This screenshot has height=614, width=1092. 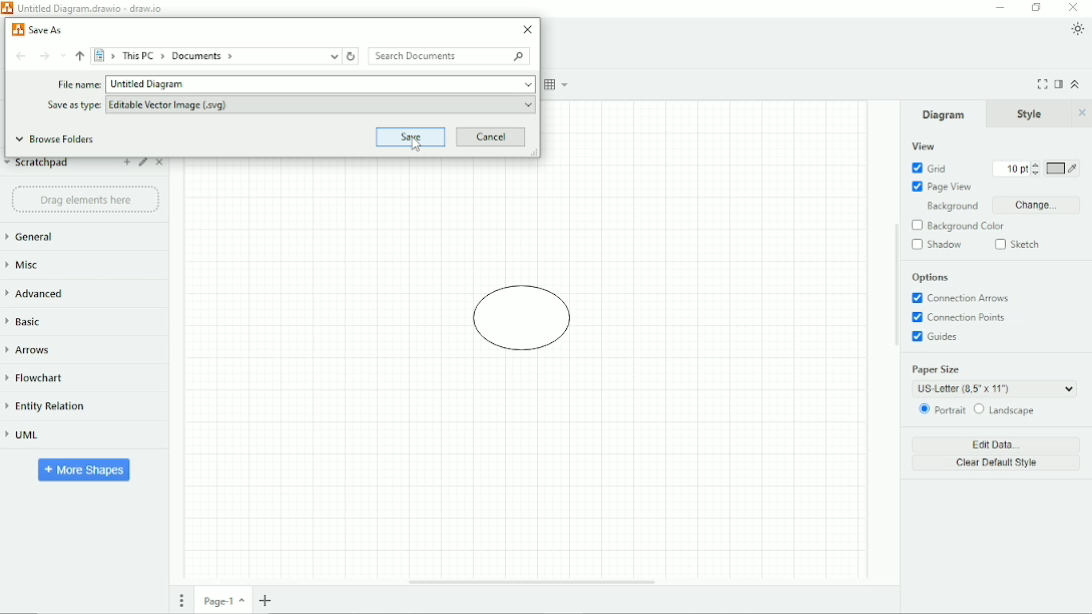 What do you see at coordinates (1063, 168) in the screenshot?
I see `Grid color` at bounding box center [1063, 168].